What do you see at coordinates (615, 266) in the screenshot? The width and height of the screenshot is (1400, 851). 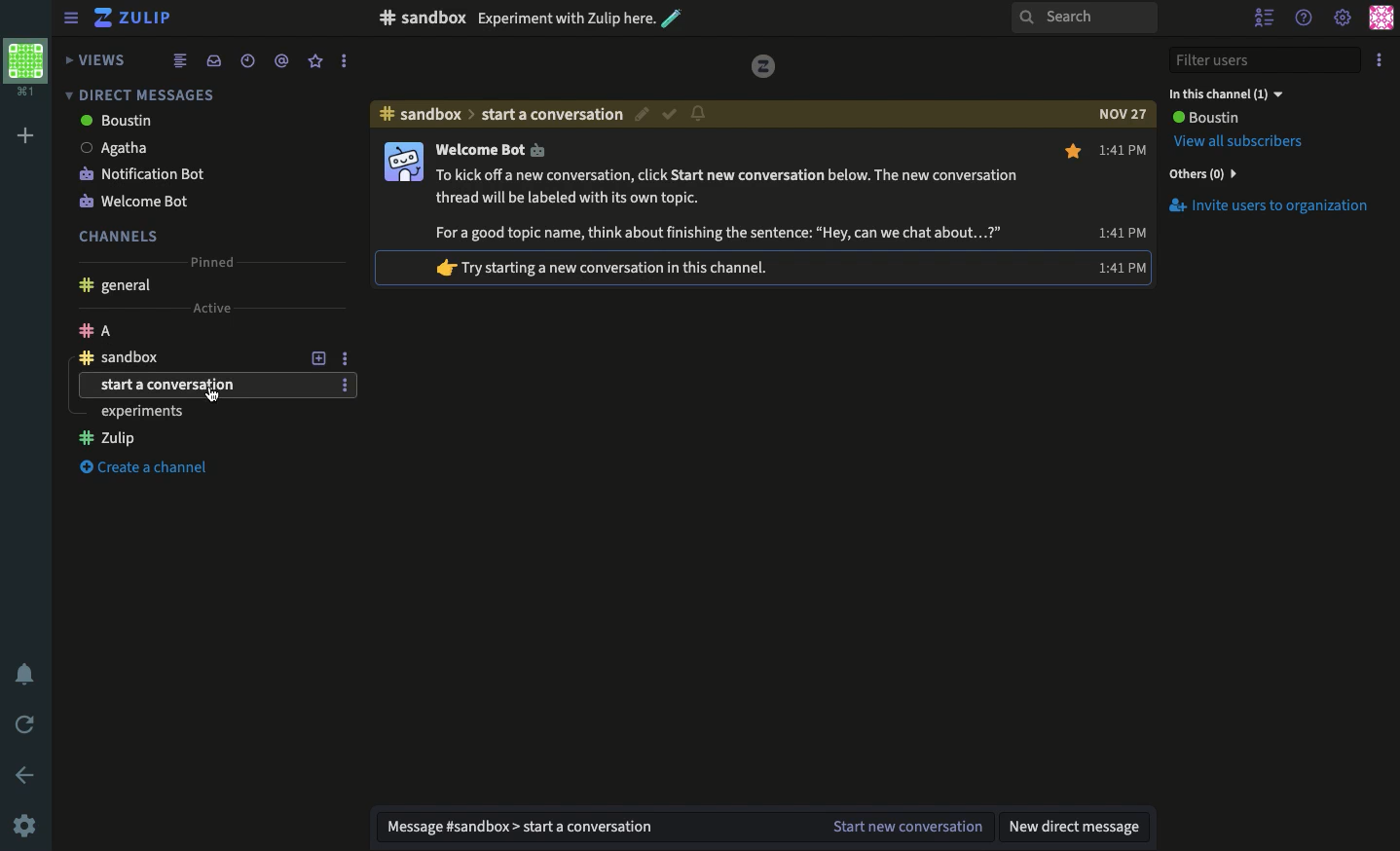 I see `Try starting a new conversation in this channel` at bounding box center [615, 266].